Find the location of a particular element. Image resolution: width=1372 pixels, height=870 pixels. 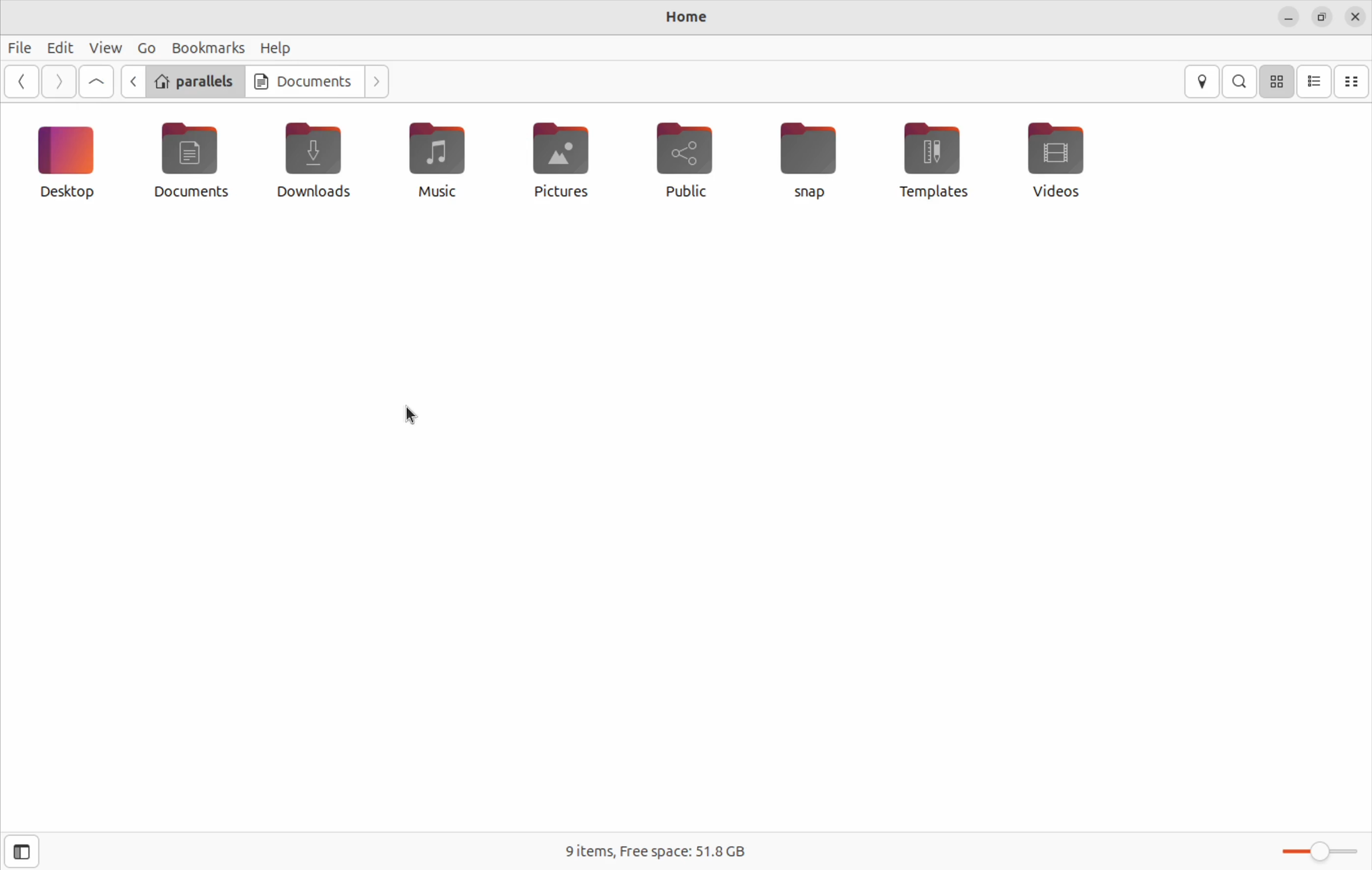

Home is located at coordinates (687, 19).